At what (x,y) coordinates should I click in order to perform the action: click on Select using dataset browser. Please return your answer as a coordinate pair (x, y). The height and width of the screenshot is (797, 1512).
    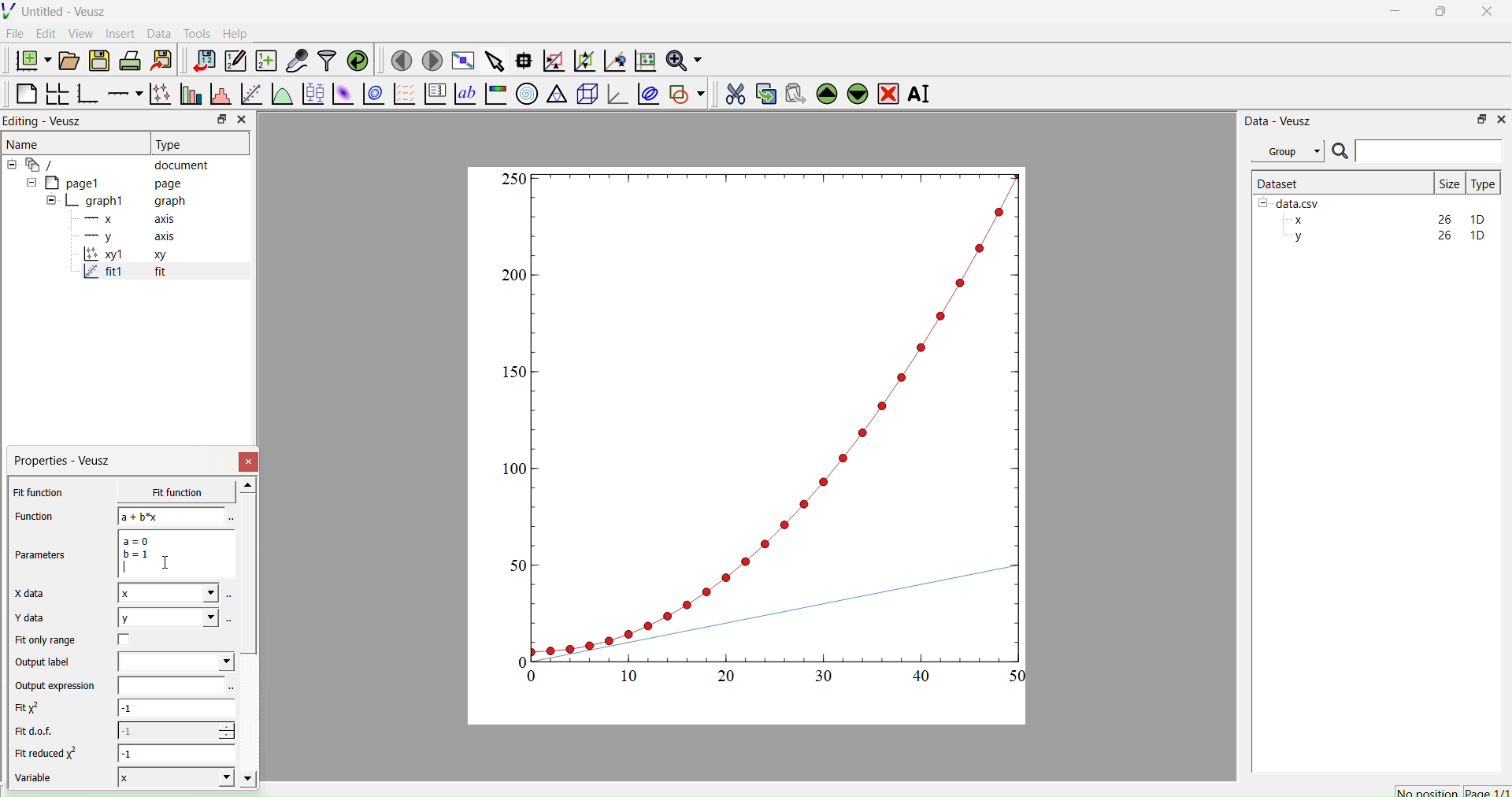
    Looking at the image, I should click on (230, 619).